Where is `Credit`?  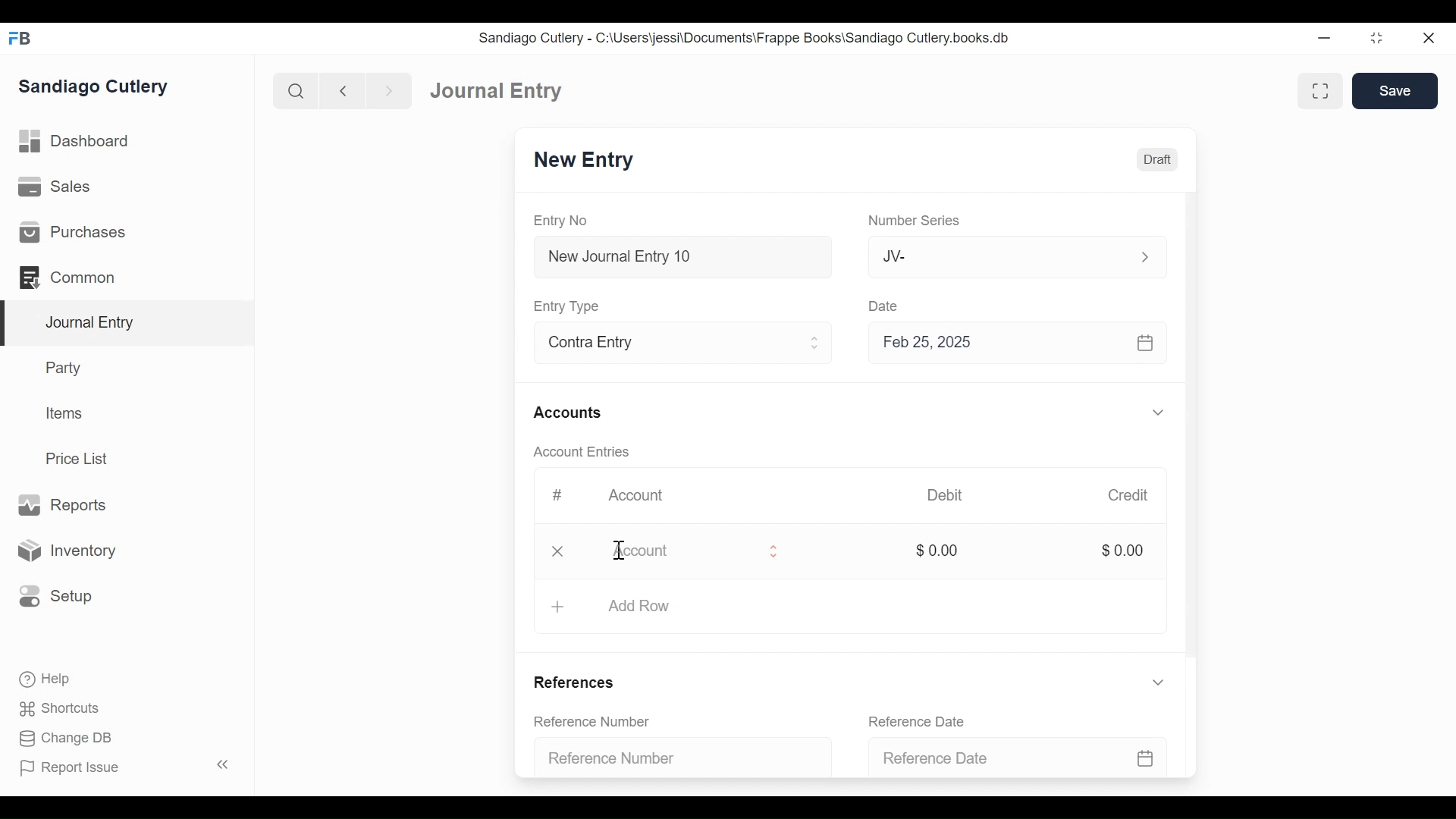 Credit is located at coordinates (1131, 497).